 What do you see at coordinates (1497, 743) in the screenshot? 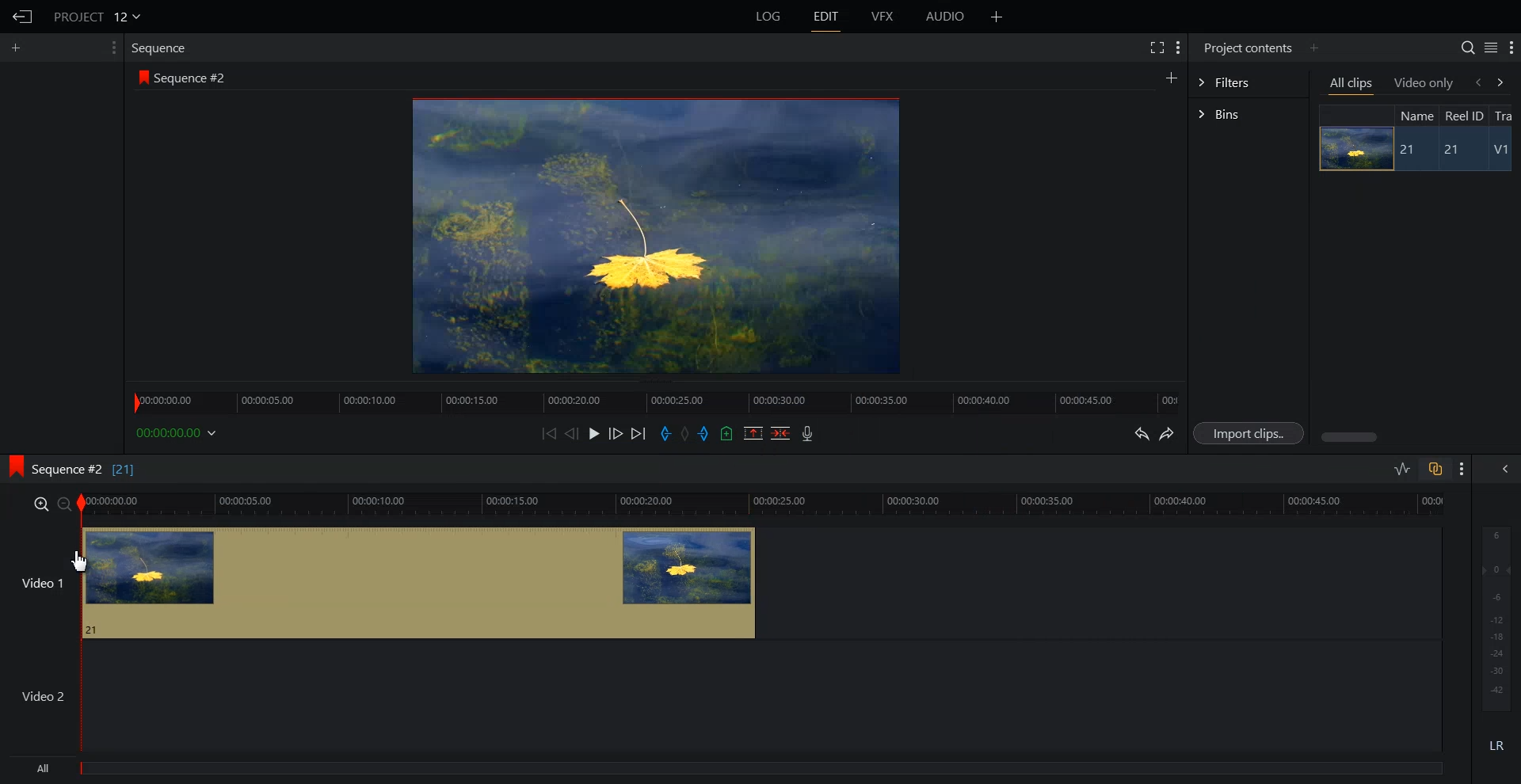
I see `LR` at bounding box center [1497, 743].